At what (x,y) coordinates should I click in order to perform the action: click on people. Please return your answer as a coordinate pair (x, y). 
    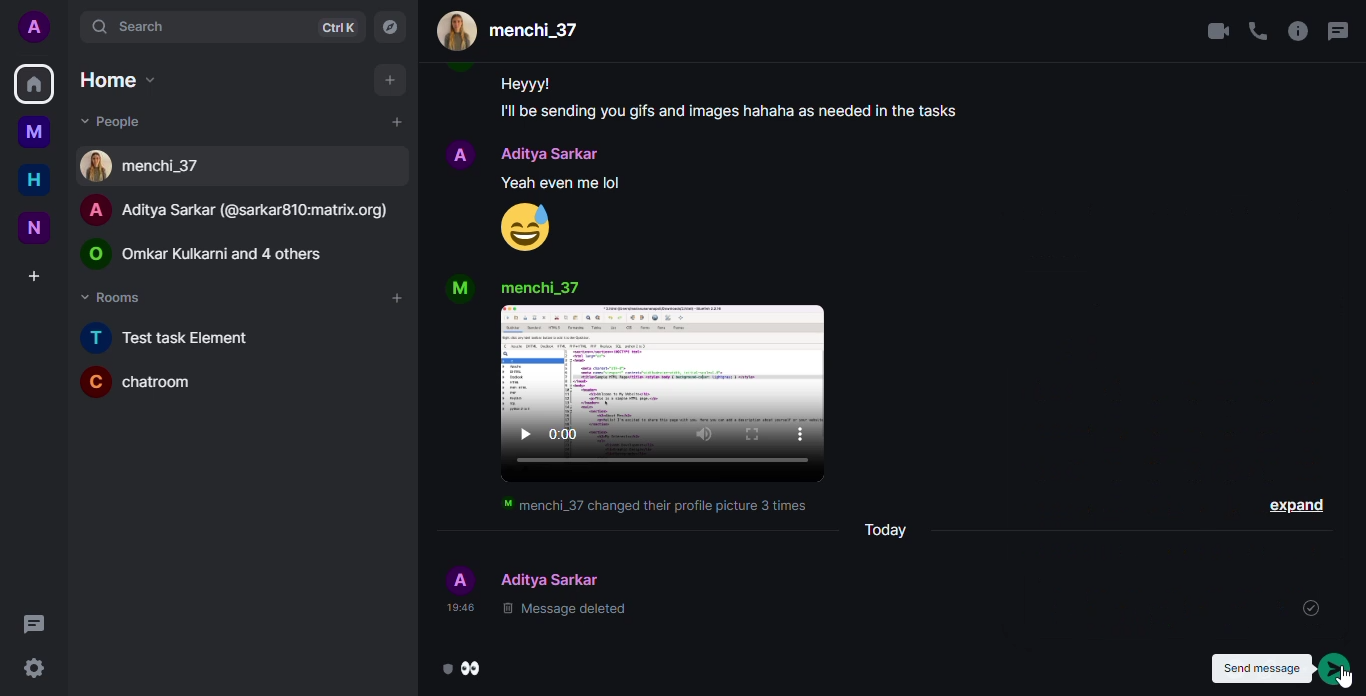
    Looking at the image, I should click on (553, 153).